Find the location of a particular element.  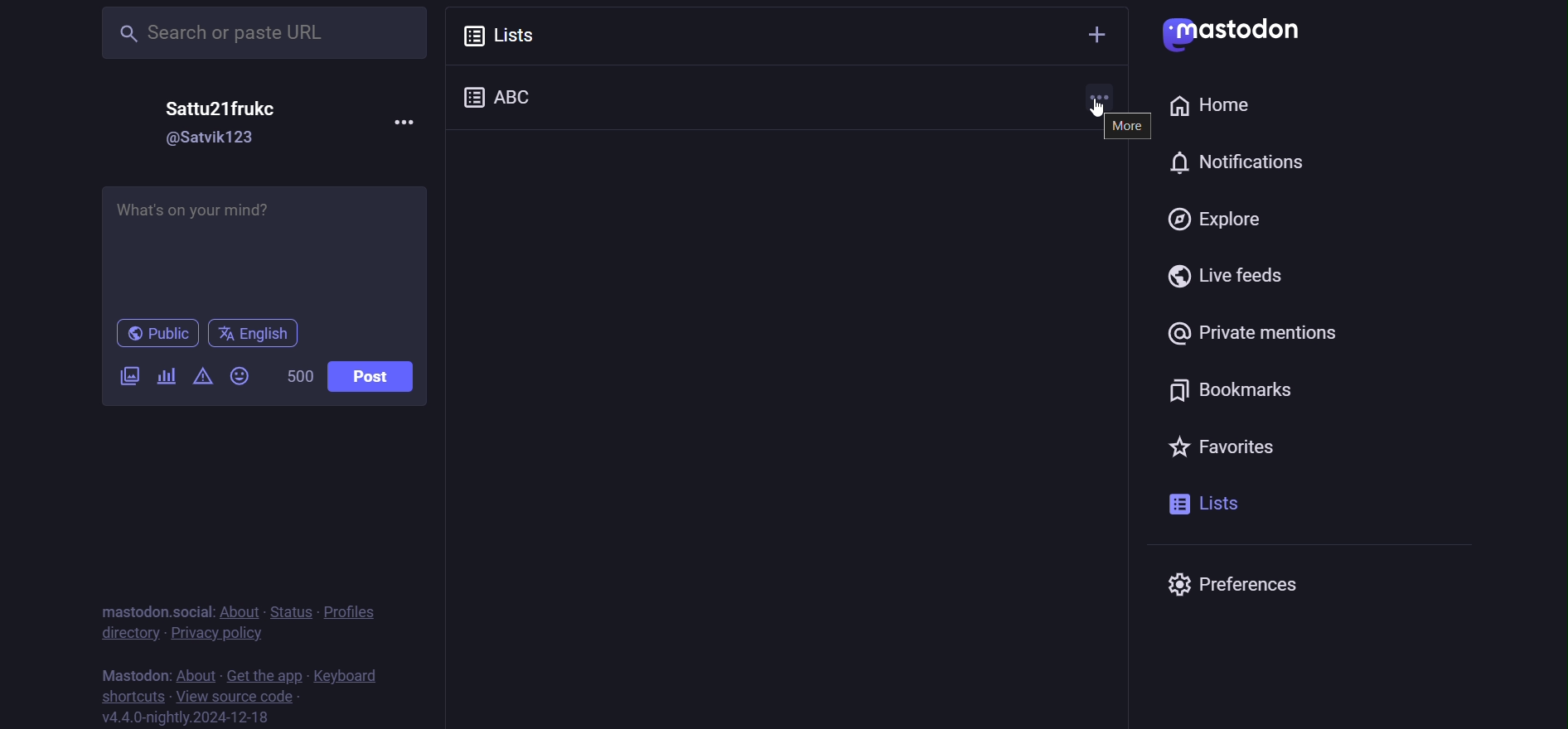

search is located at coordinates (248, 33).